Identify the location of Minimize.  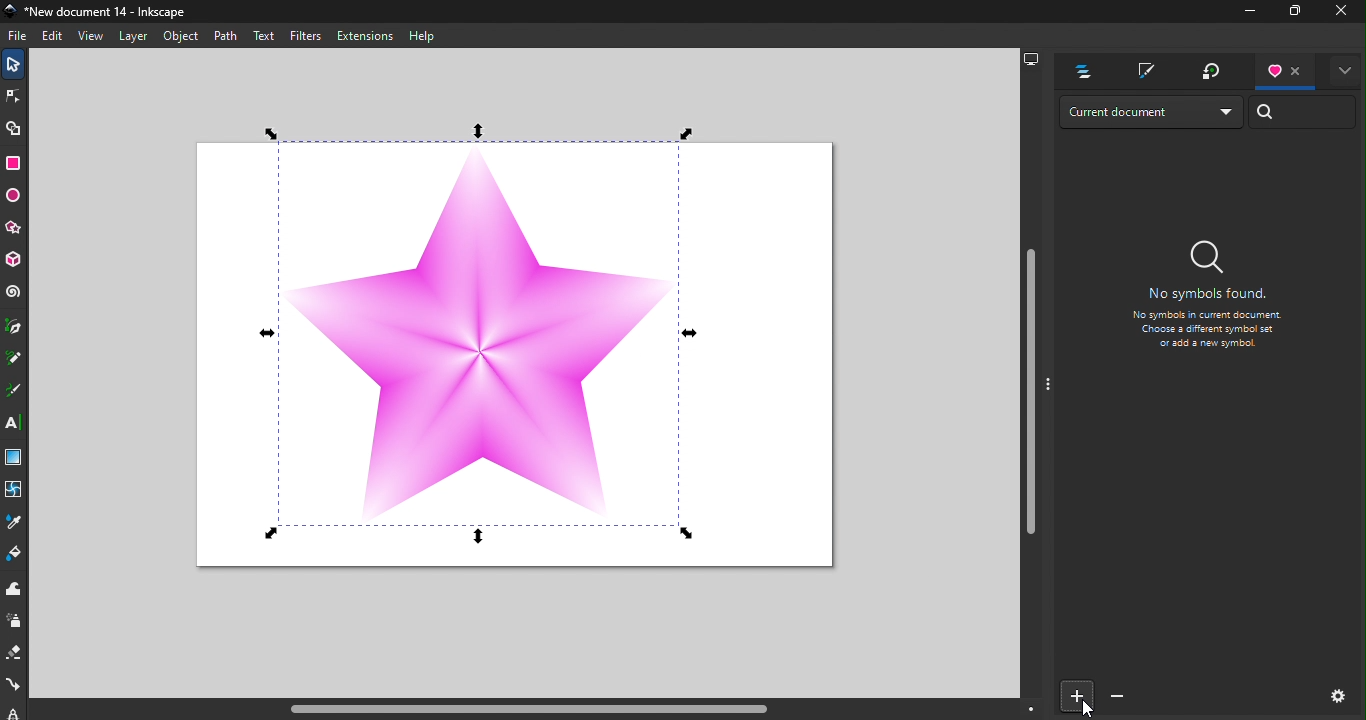
(1245, 14).